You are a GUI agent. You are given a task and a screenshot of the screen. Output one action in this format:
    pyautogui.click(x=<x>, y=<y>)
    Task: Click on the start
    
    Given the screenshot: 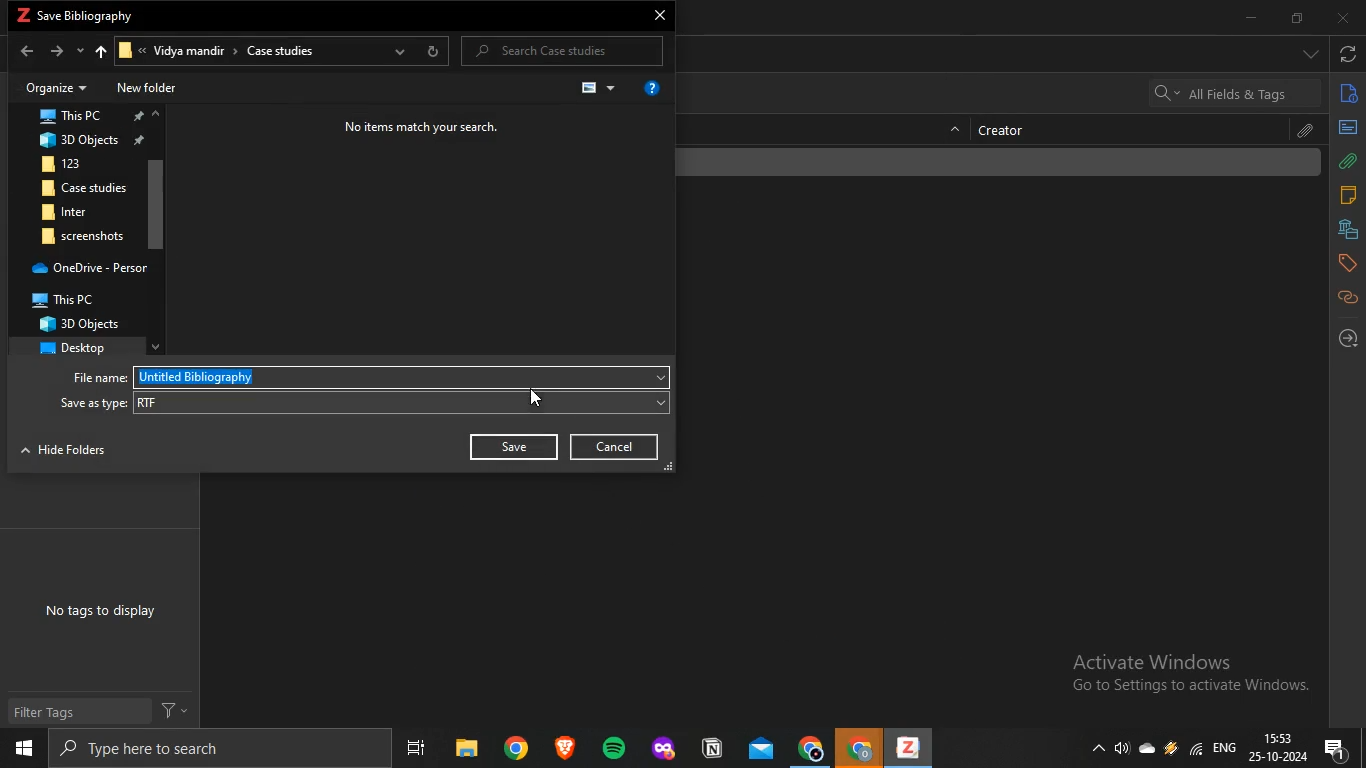 What is the action you would take?
    pyautogui.click(x=24, y=750)
    